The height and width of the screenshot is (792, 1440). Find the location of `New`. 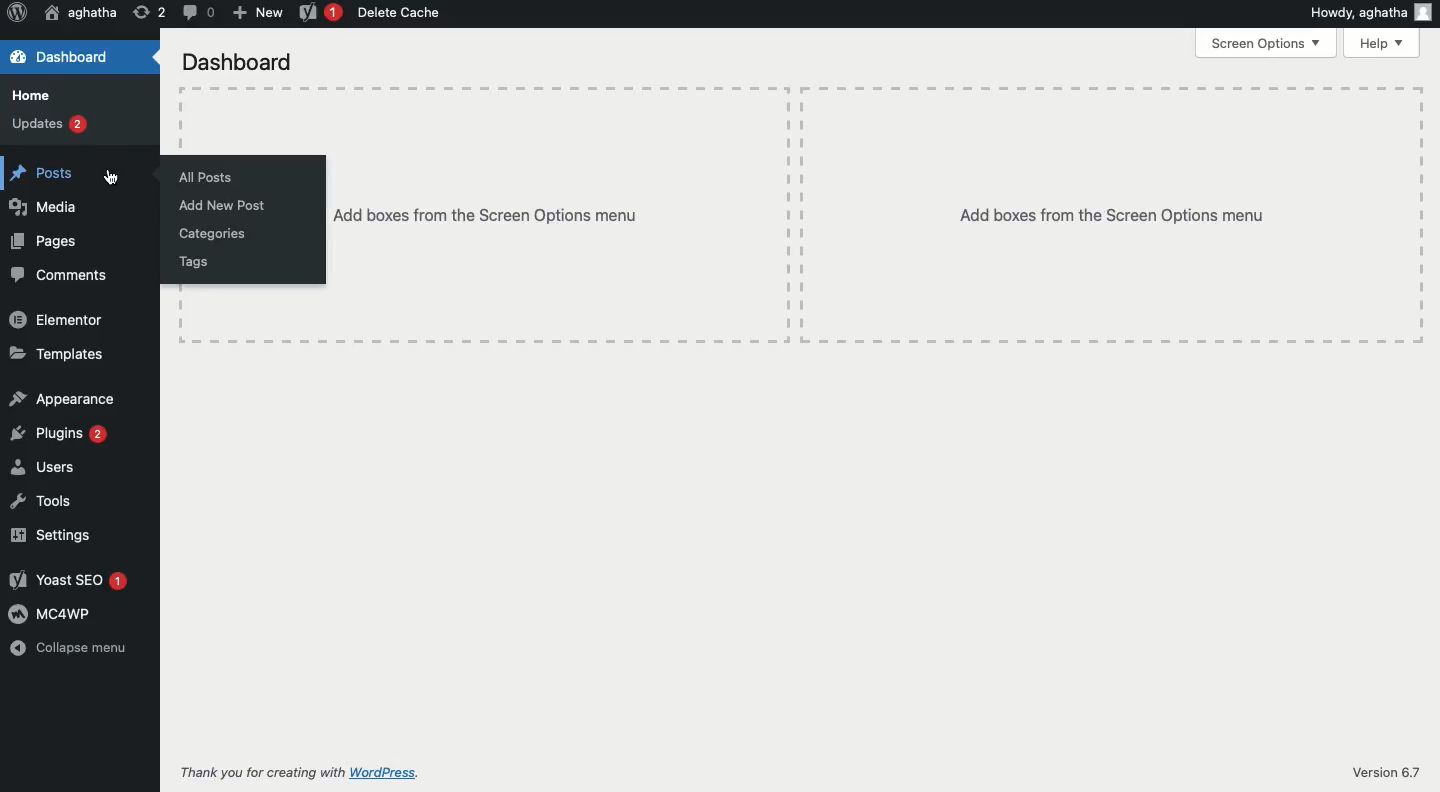

New is located at coordinates (256, 13).